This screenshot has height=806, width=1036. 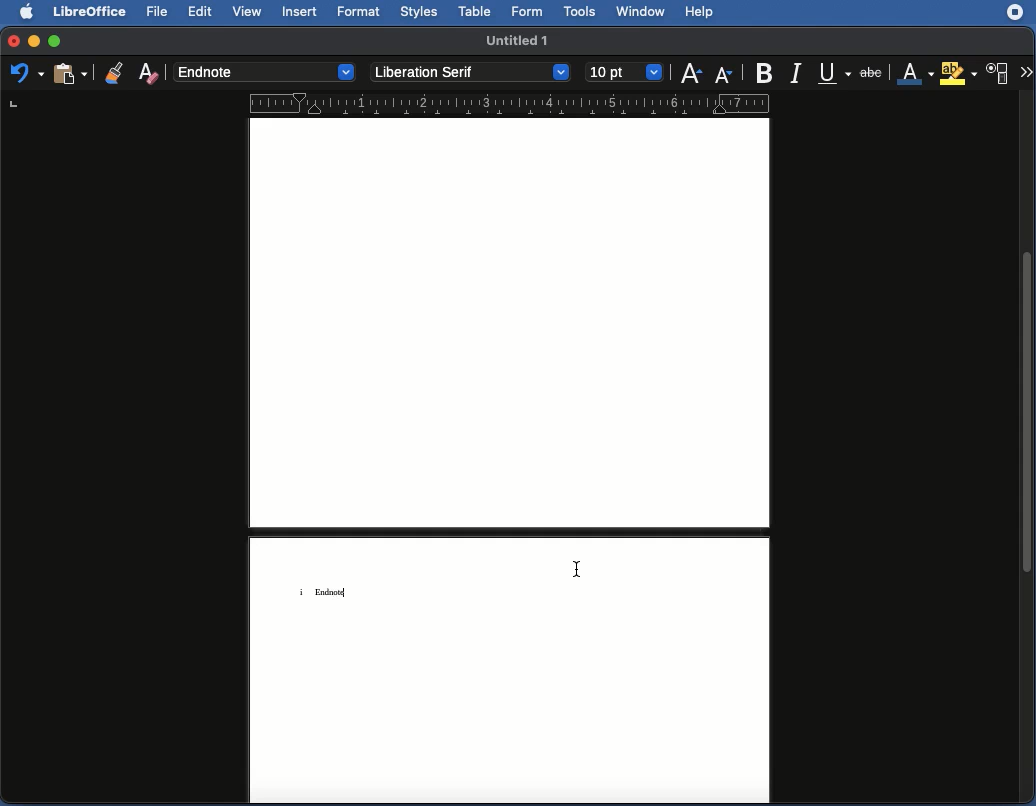 I want to click on Strikethrough, so click(x=872, y=72).